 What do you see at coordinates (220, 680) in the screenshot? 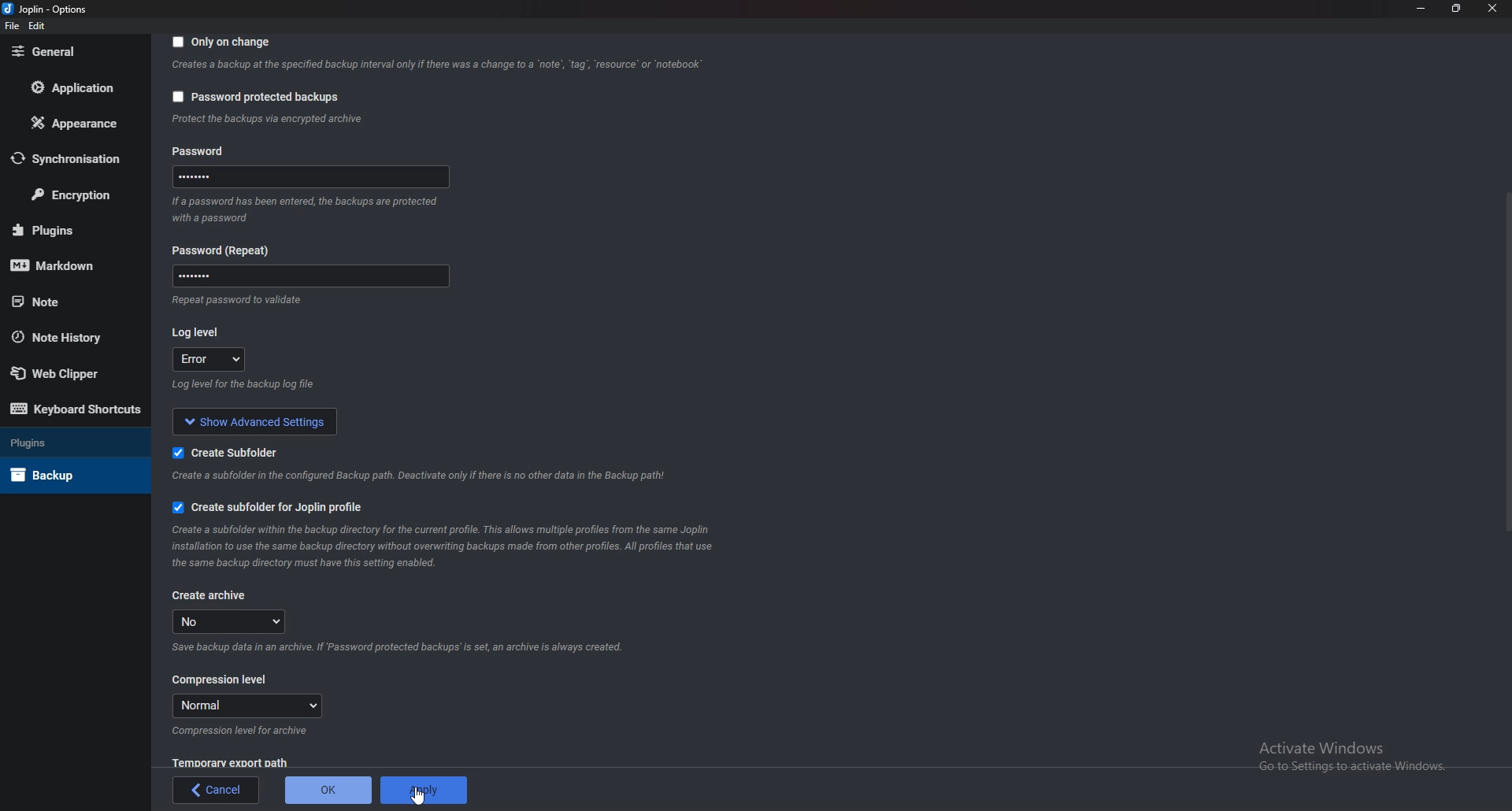
I see `Compression level` at bounding box center [220, 680].